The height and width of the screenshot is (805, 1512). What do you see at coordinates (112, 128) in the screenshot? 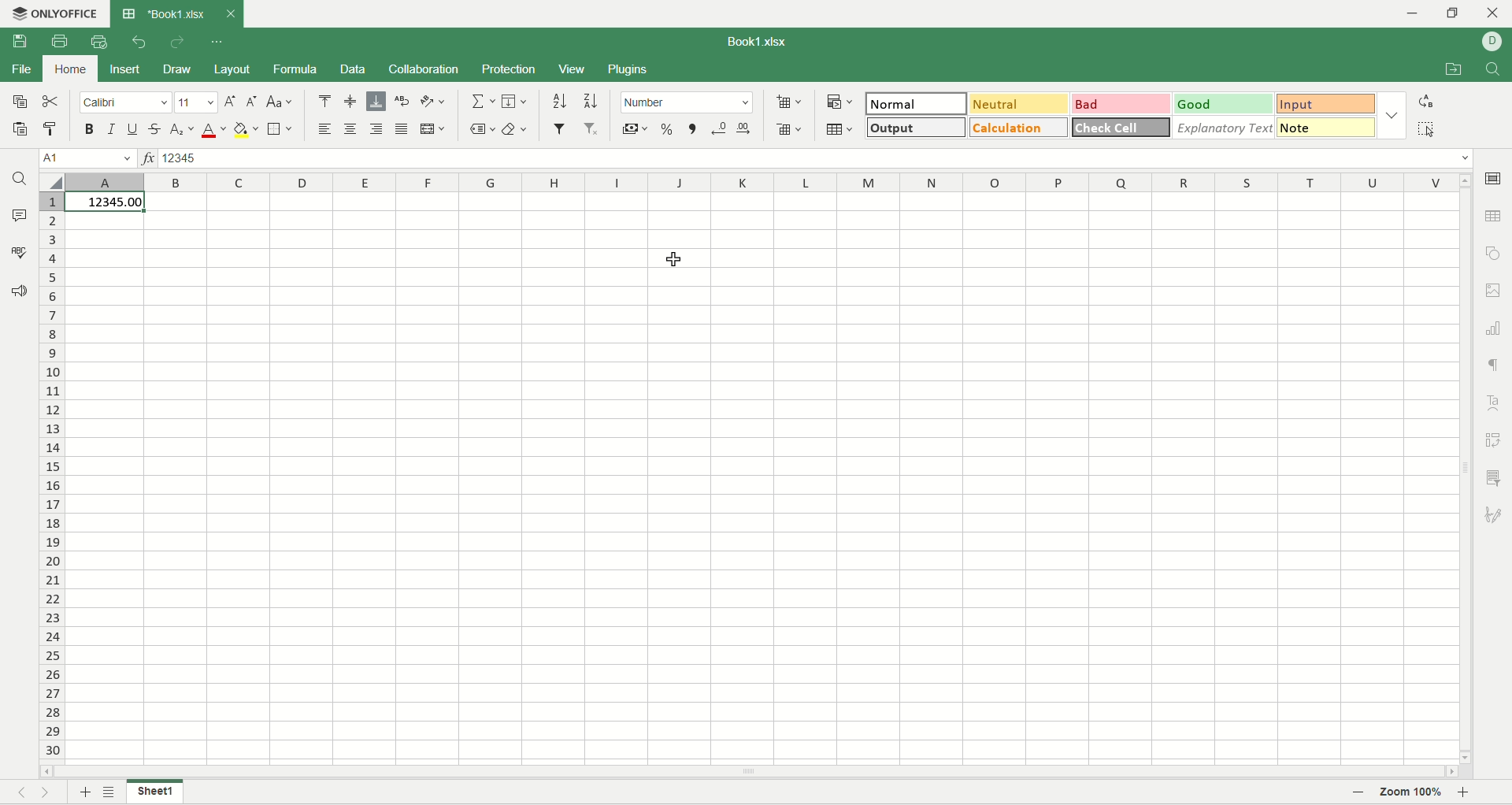
I see `italic` at bounding box center [112, 128].